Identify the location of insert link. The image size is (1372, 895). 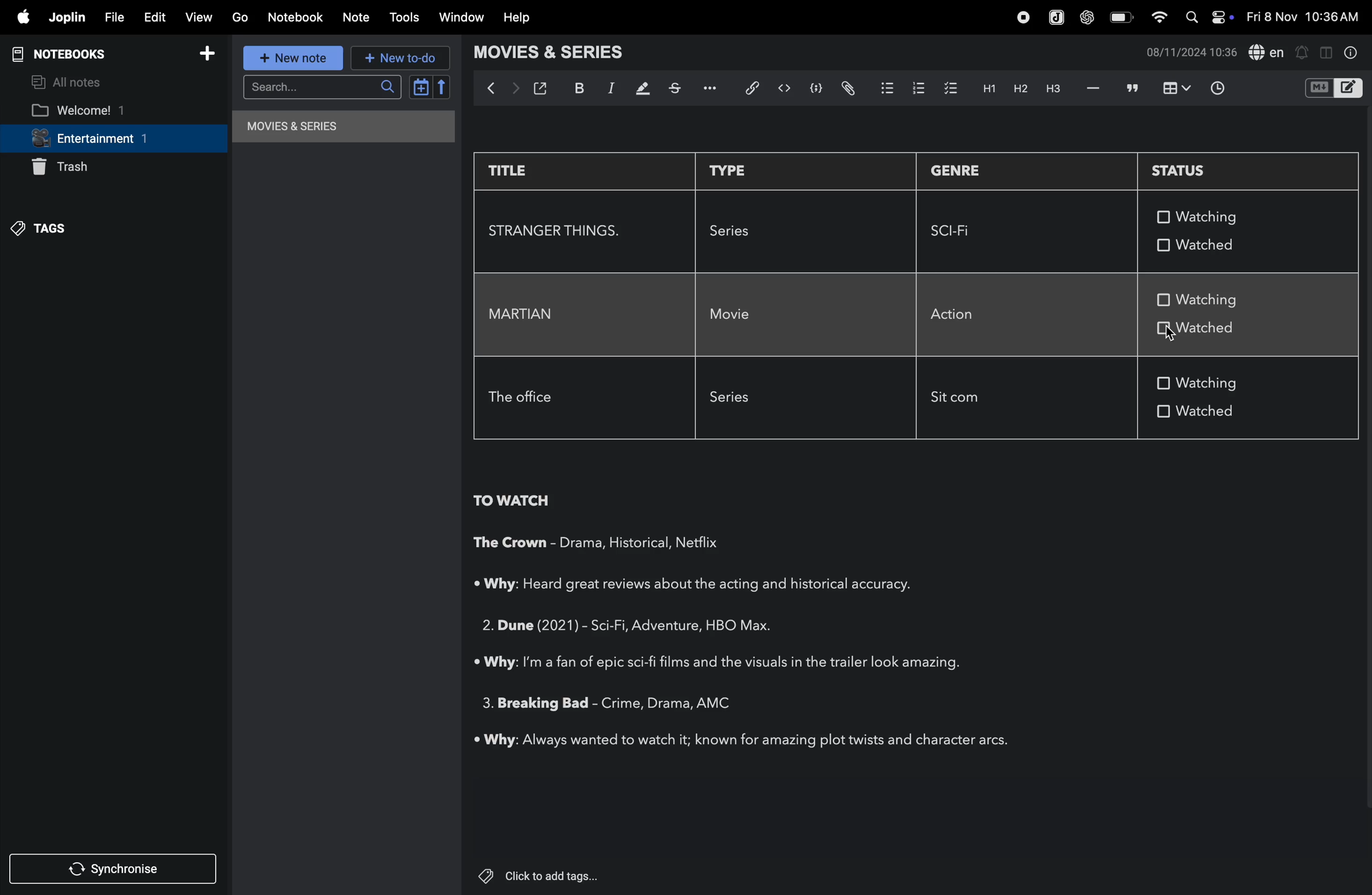
(753, 88).